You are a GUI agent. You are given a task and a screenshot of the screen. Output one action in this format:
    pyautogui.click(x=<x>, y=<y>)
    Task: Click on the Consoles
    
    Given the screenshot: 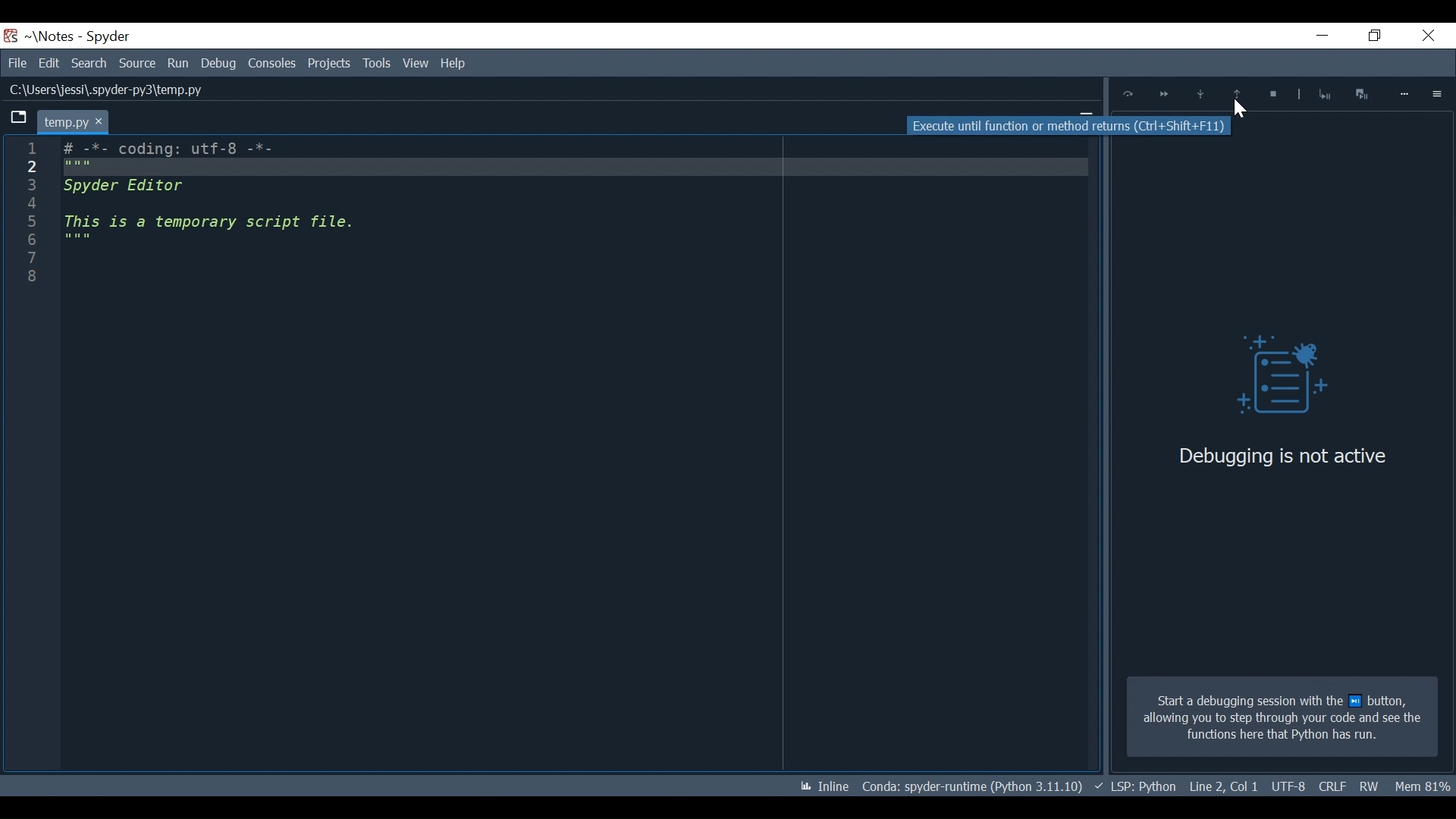 What is the action you would take?
    pyautogui.click(x=271, y=63)
    